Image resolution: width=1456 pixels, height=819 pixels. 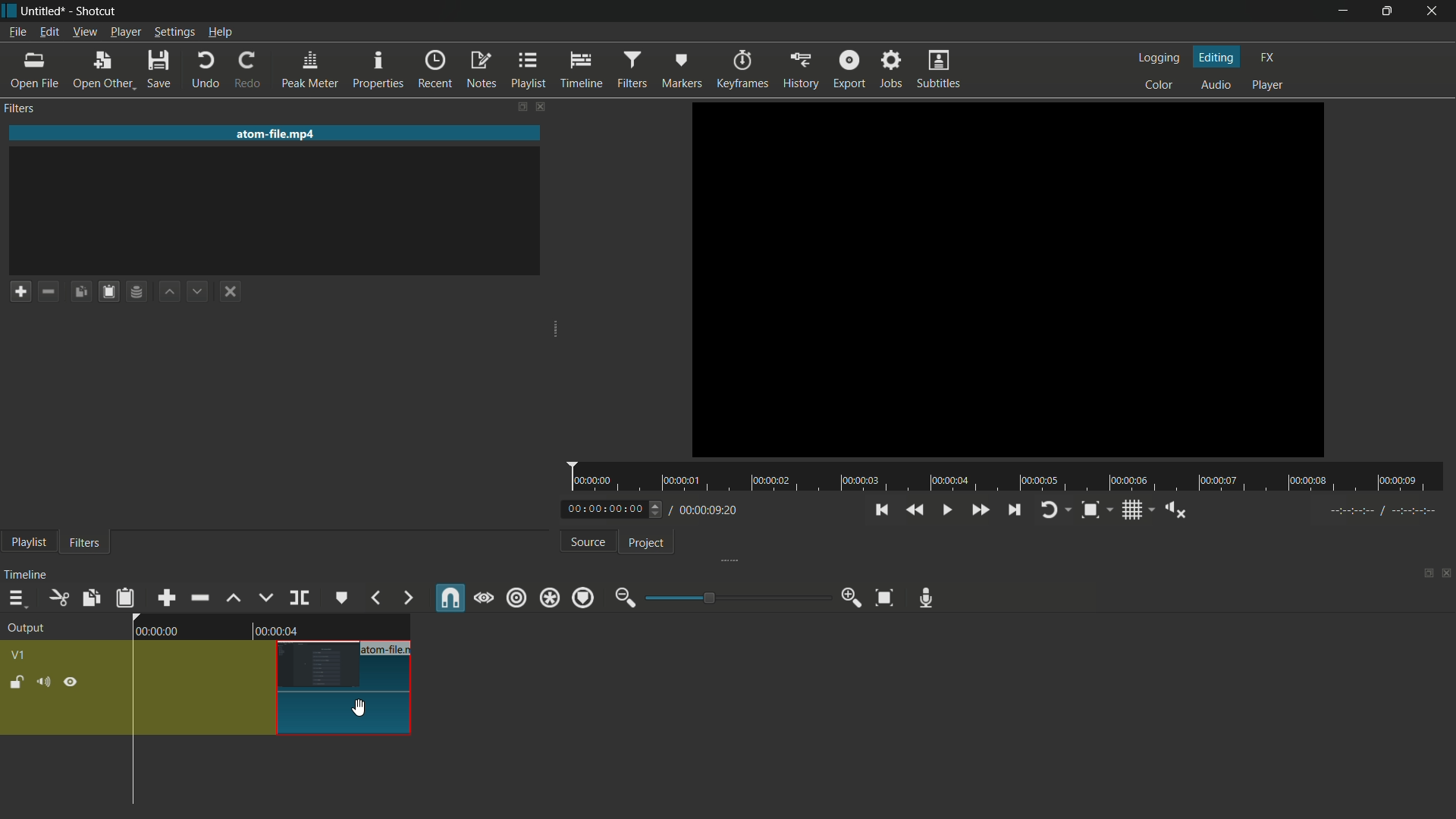 I want to click on next marker, so click(x=406, y=598).